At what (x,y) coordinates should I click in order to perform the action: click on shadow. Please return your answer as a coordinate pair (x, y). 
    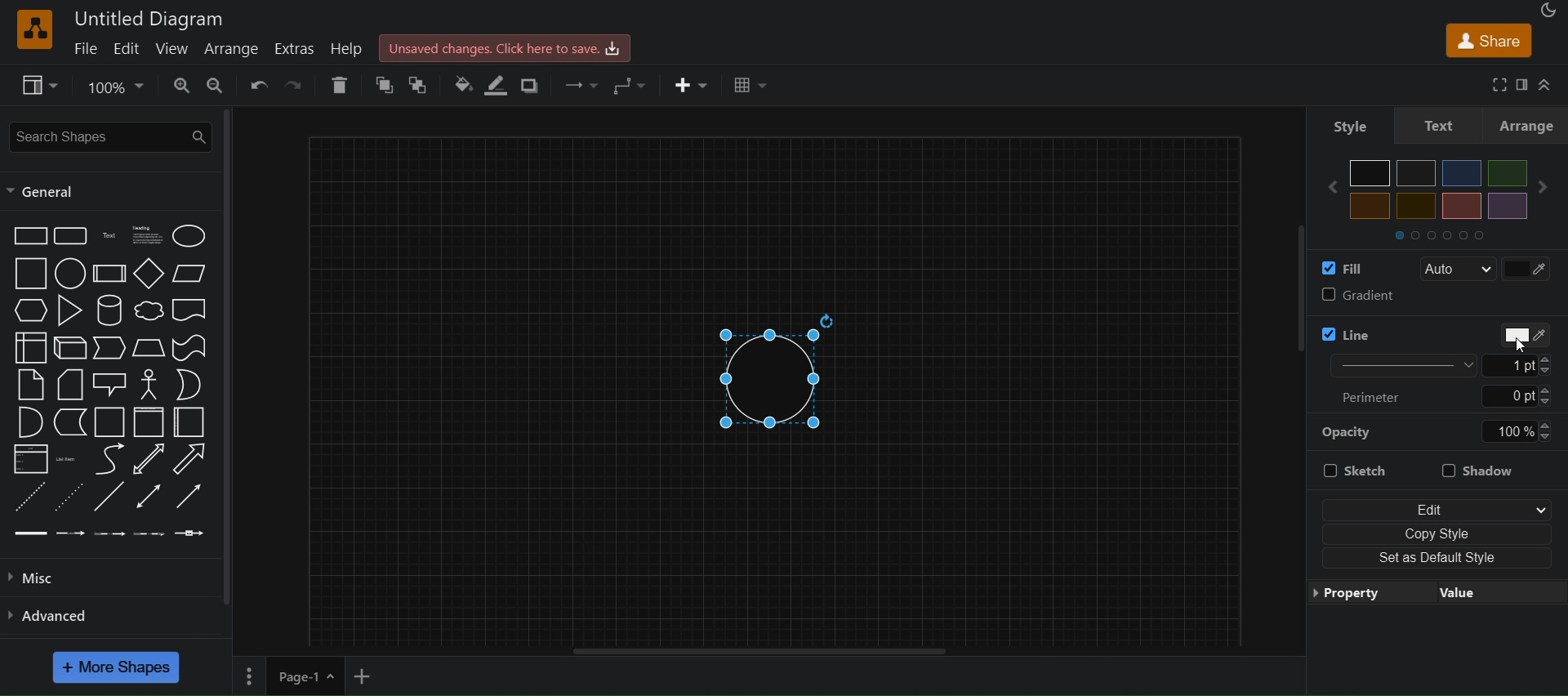
    Looking at the image, I should click on (534, 84).